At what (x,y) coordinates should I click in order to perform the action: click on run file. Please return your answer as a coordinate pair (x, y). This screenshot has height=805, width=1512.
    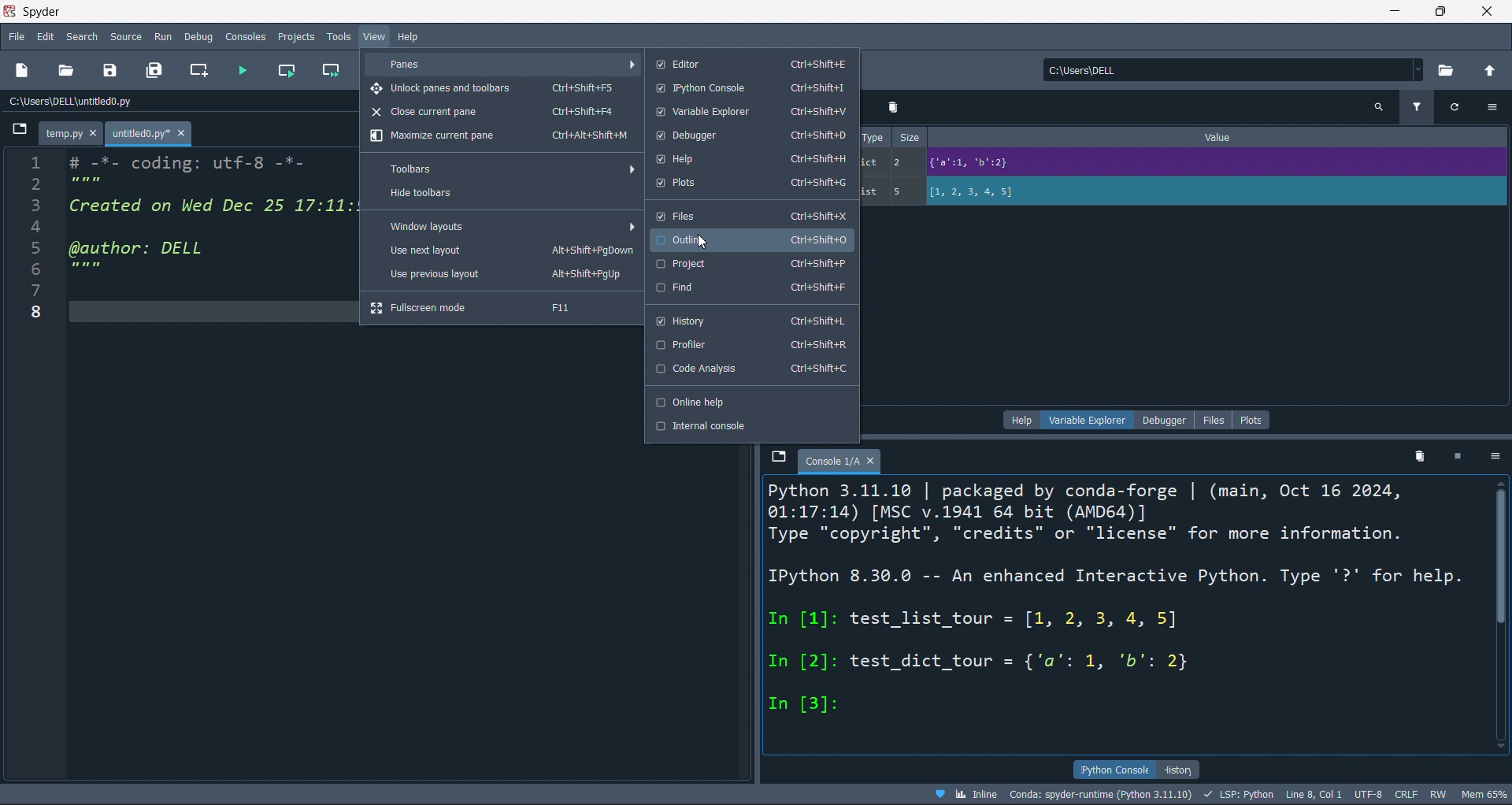
    Looking at the image, I should click on (244, 69).